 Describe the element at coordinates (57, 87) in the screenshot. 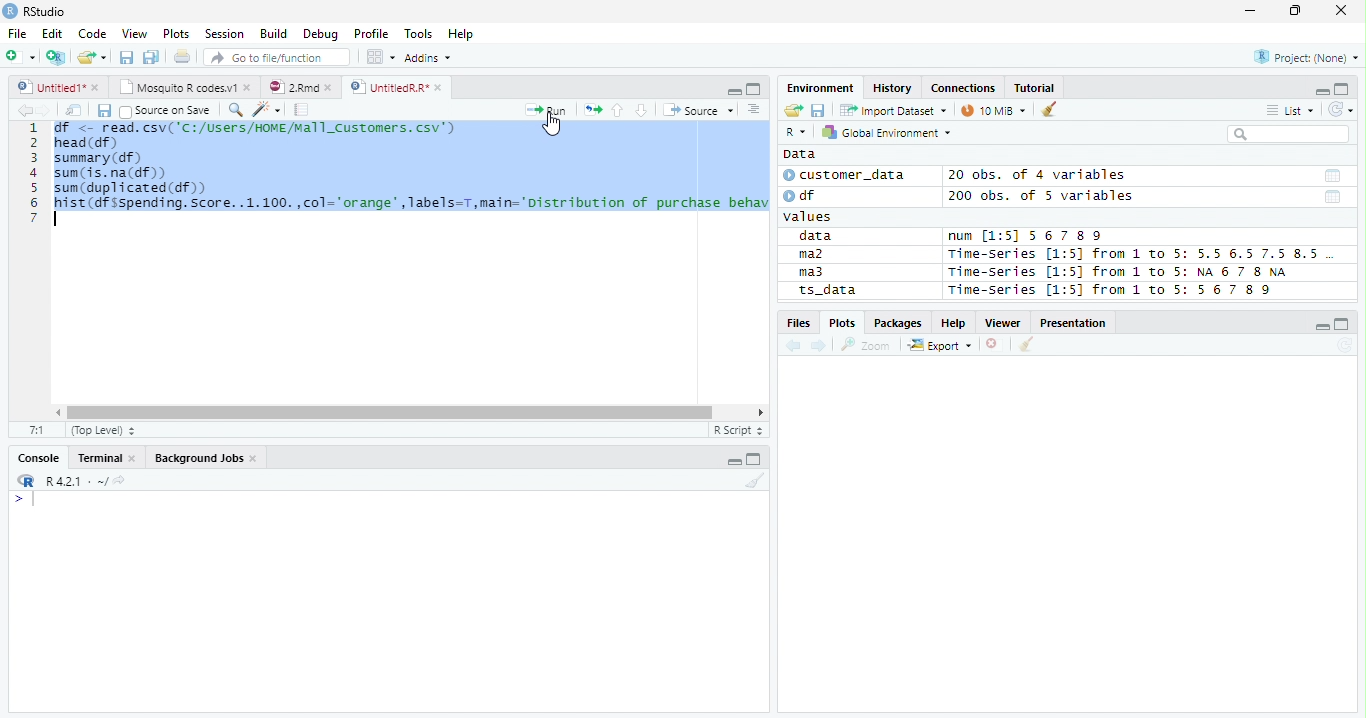

I see `Untitiled1` at that location.